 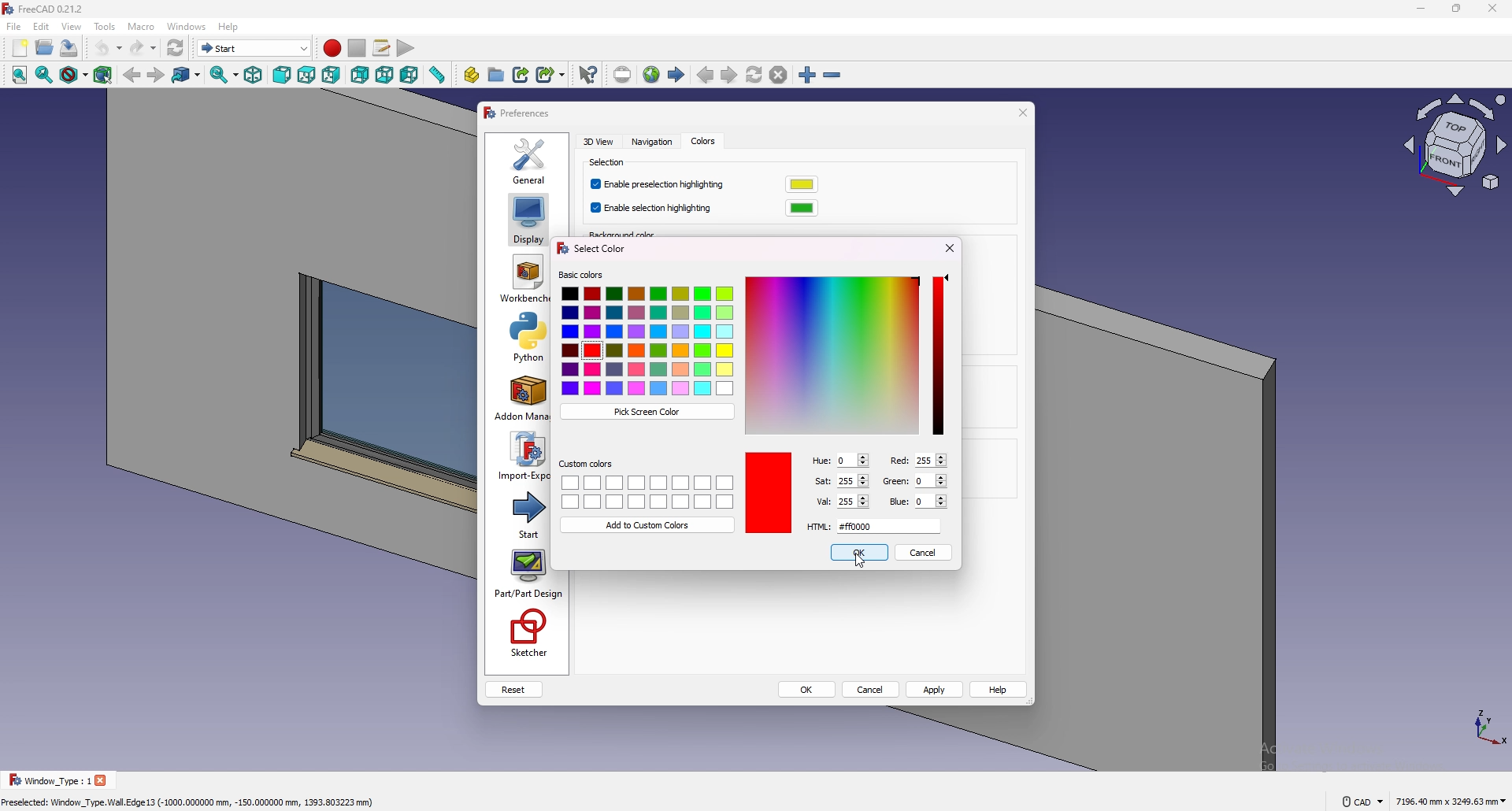 What do you see at coordinates (523, 279) in the screenshot?
I see `workbenches` at bounding box center [523, 279].